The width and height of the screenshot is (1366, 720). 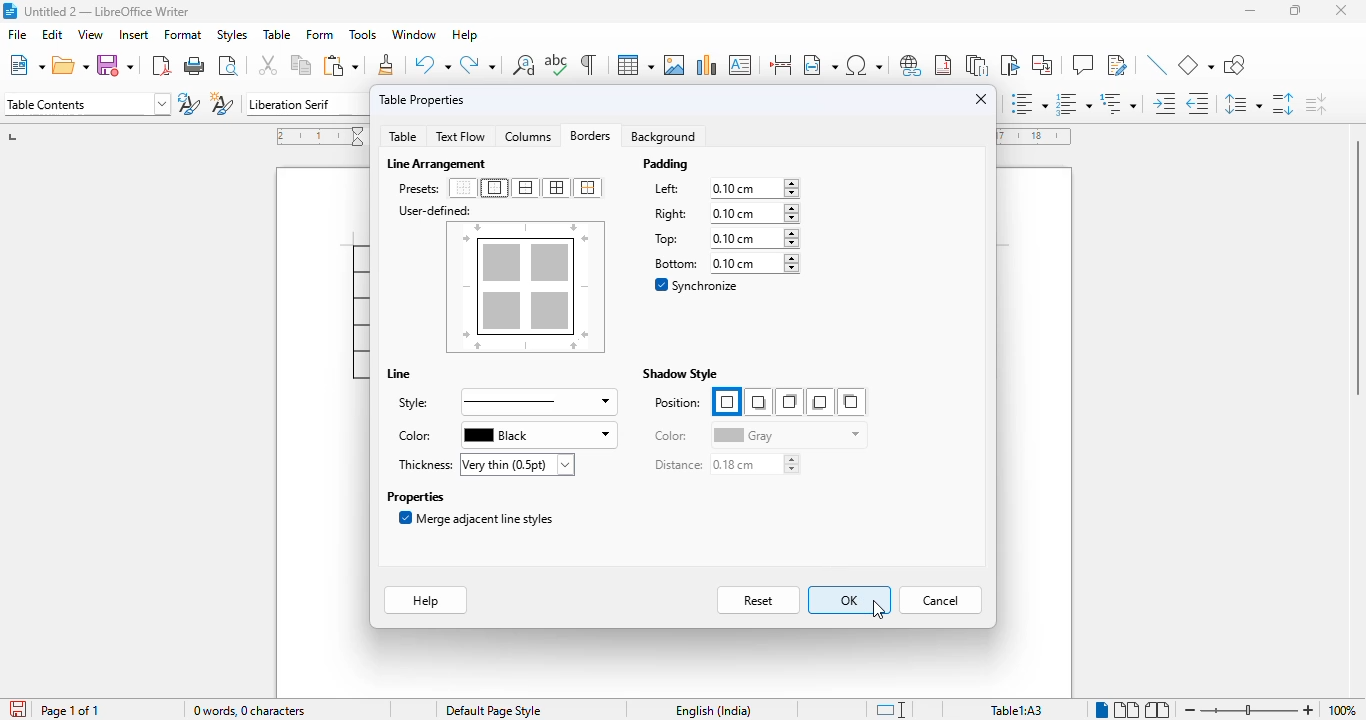 What do you see at coordinates (978, 64) in the screenshot?
I see `insert endnote` at bounding box center [978, 64].